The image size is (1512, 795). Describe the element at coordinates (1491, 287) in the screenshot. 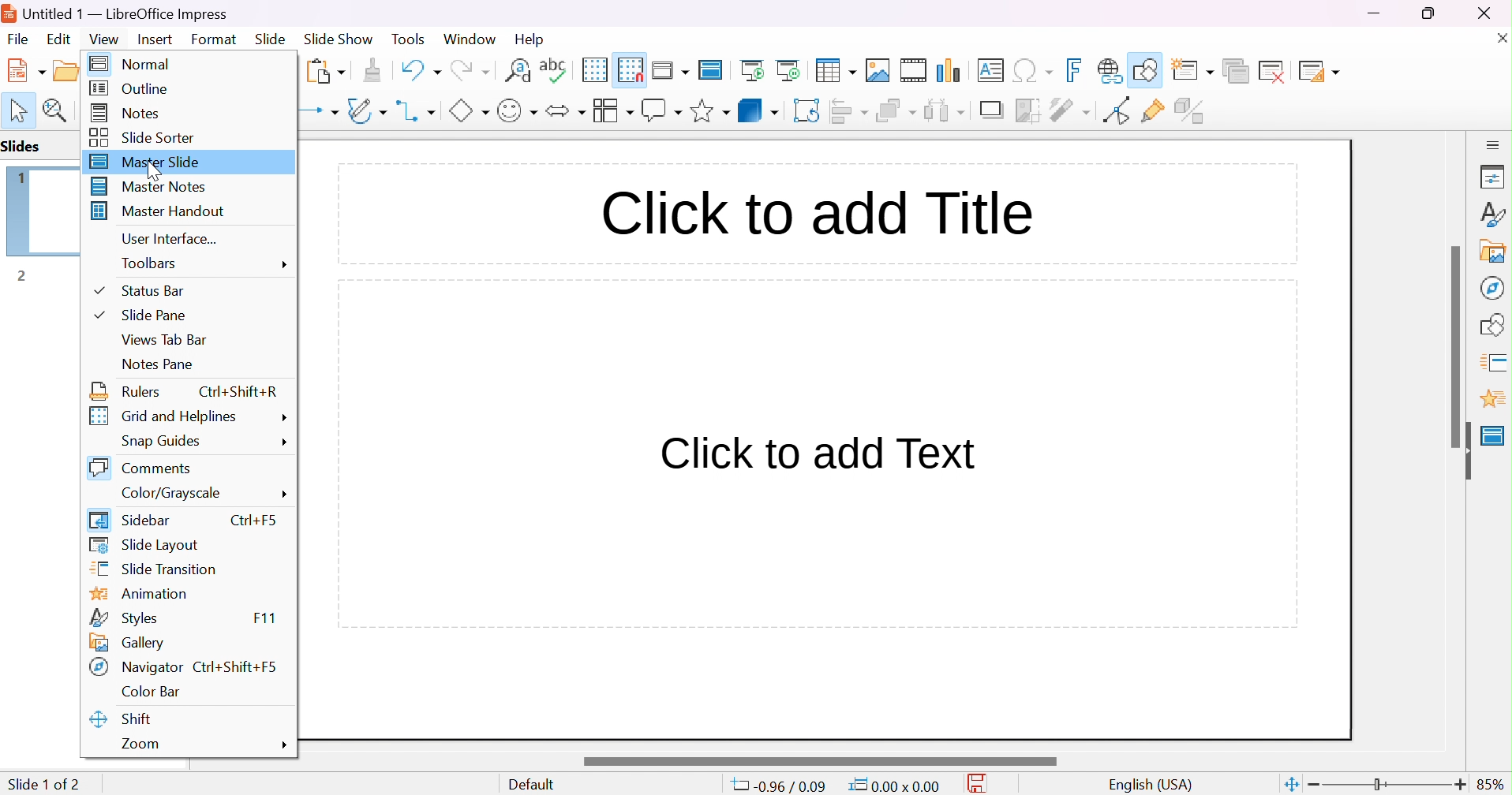

I see `navigation` at that location.